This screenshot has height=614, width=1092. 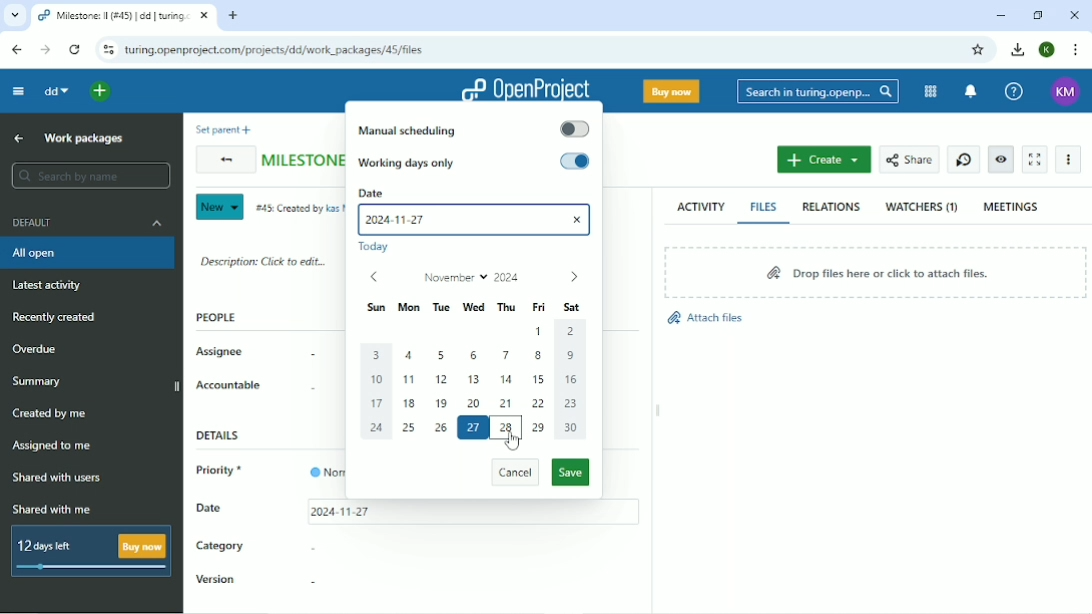 I want to click on cursor, so click(x=513, y=441).